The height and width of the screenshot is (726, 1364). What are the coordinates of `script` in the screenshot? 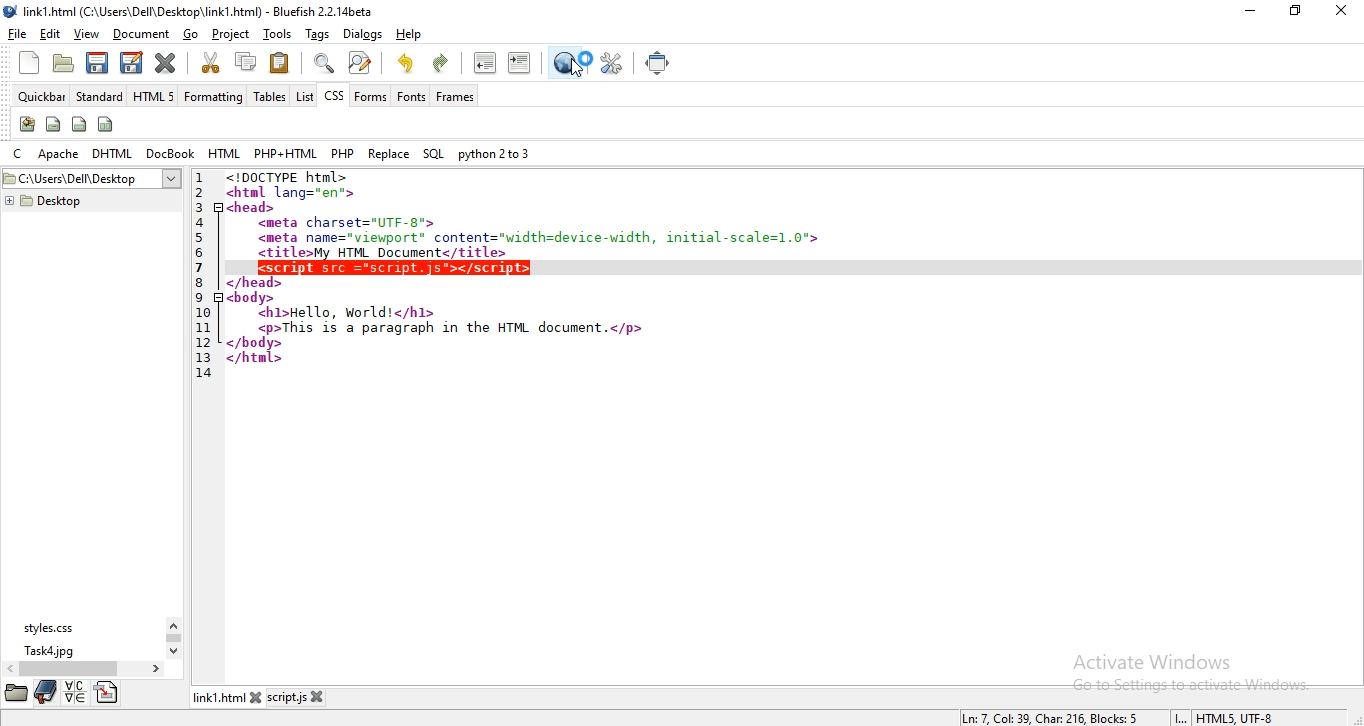 It's located at (292, 697).